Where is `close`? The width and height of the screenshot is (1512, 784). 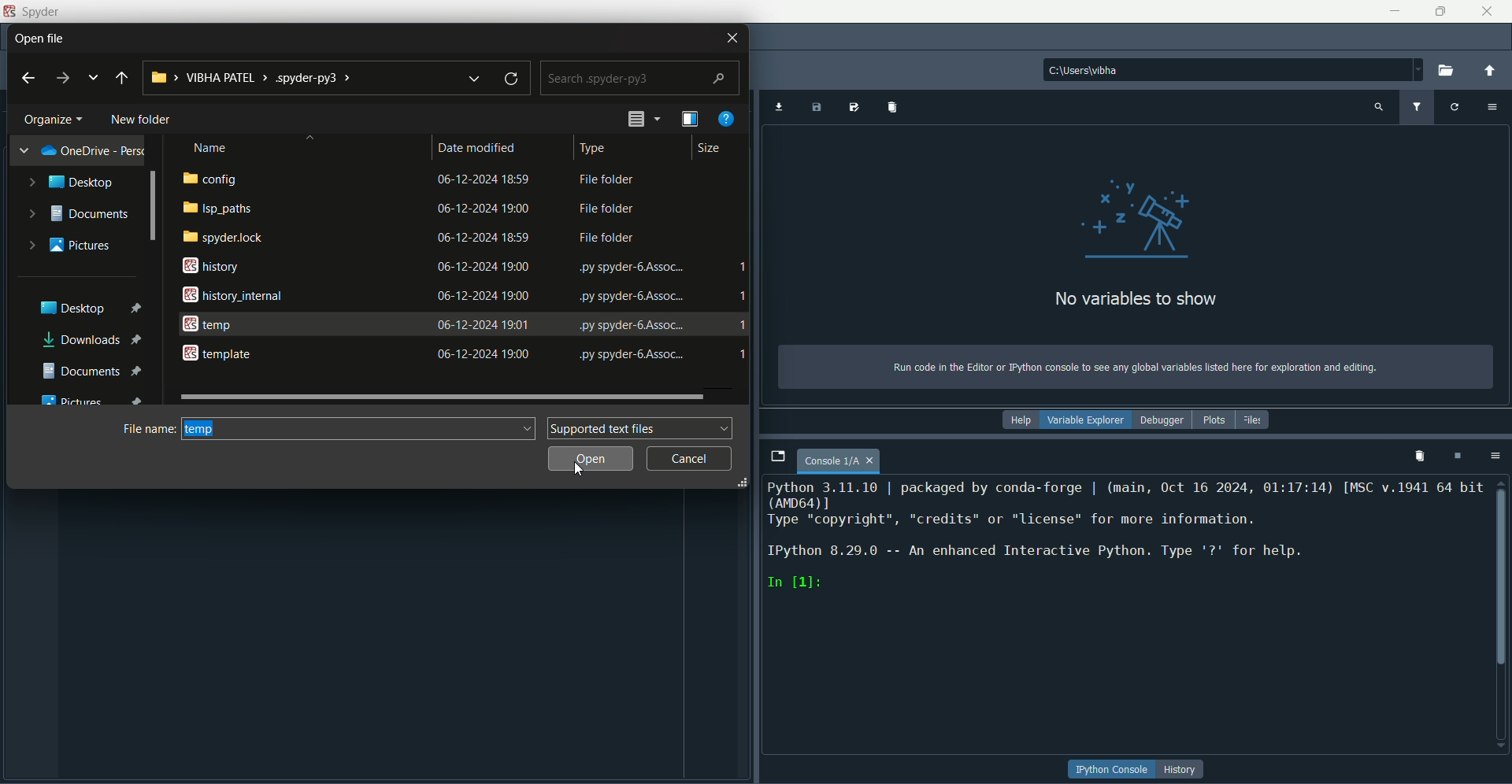
close is located at coordinates (1487, 11).